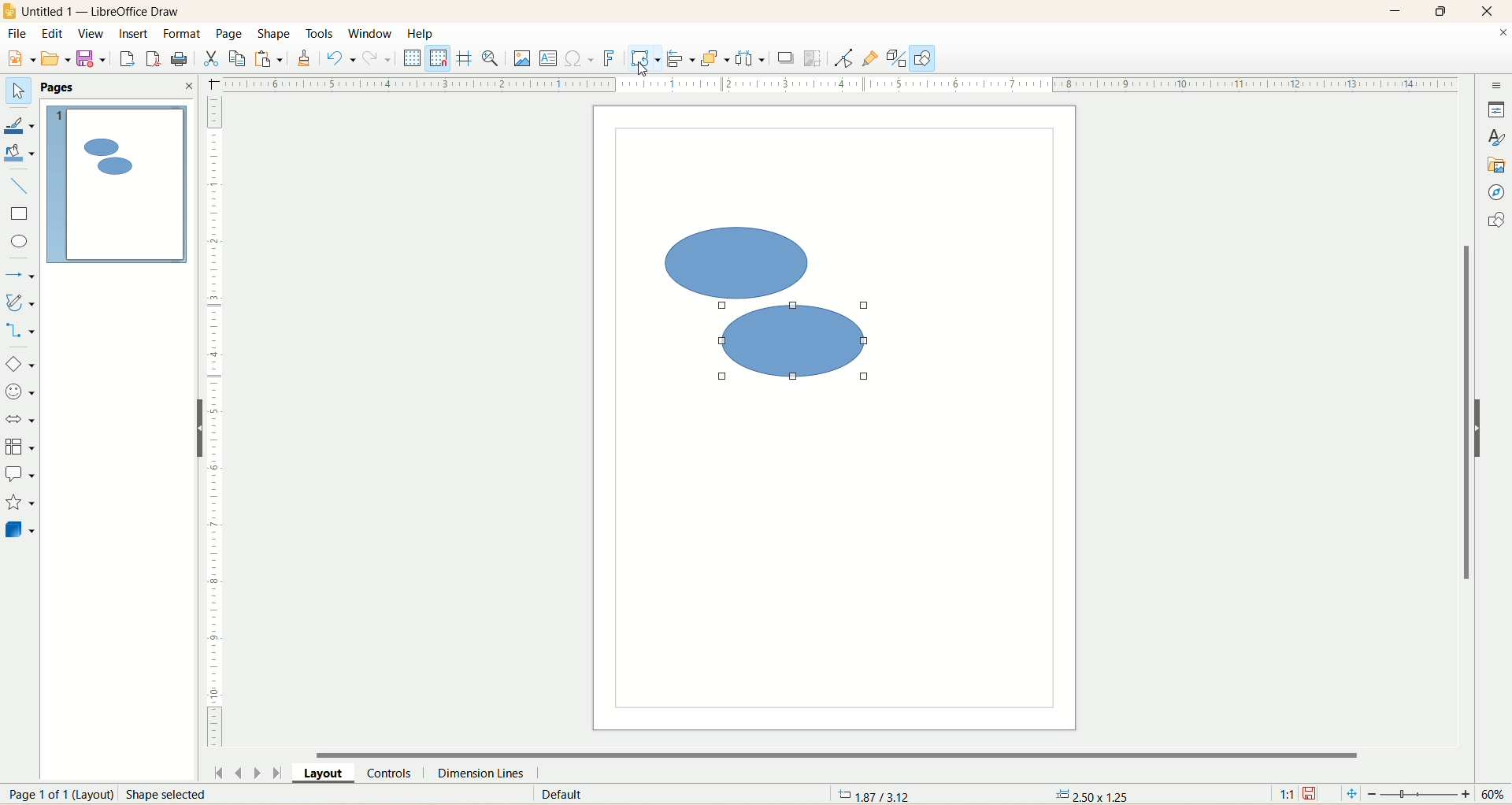 This screenshot has height=805, width=1512. Describe the element at coordinates (23, 59) in the screenshot. I see `new` at that location.